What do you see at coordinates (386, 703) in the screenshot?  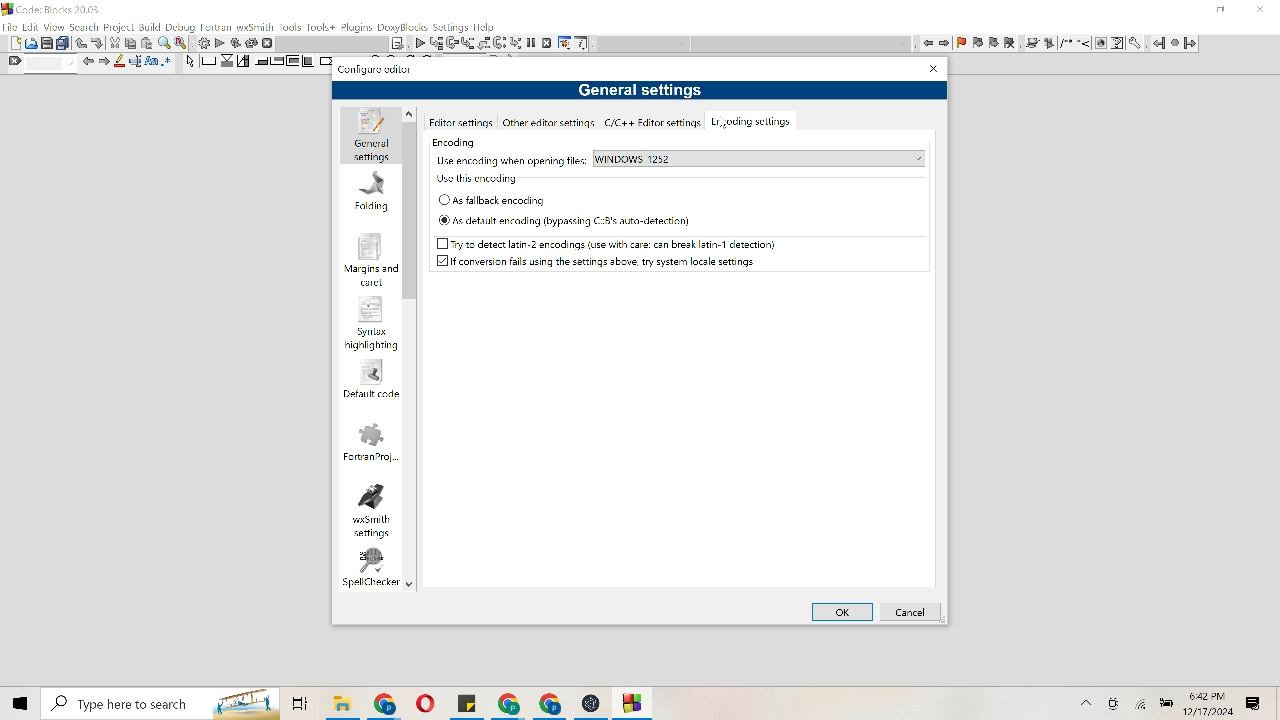 I see `File` at bounding box center [386, 703].